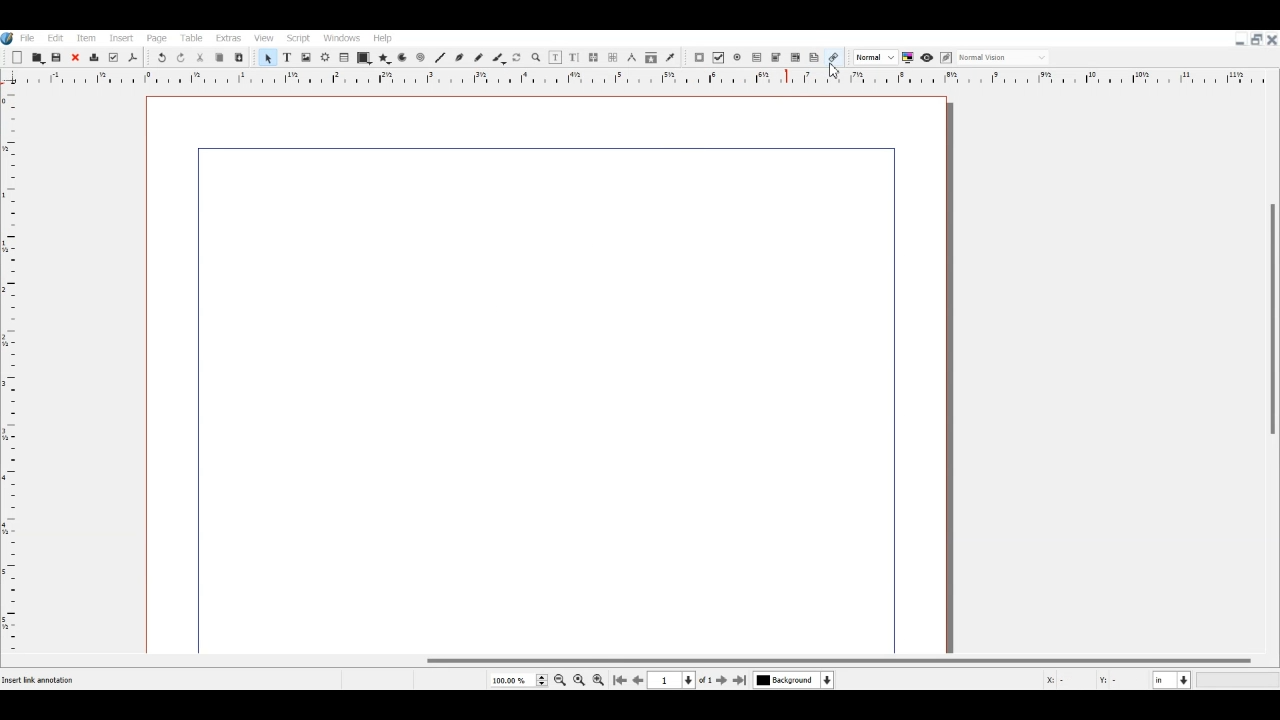 This screenshot has width=1280, height=720. What do you see at coordinates (719, 58) in the screenshot?
I see `PDF Check Box` at bounding box center [719, 58].